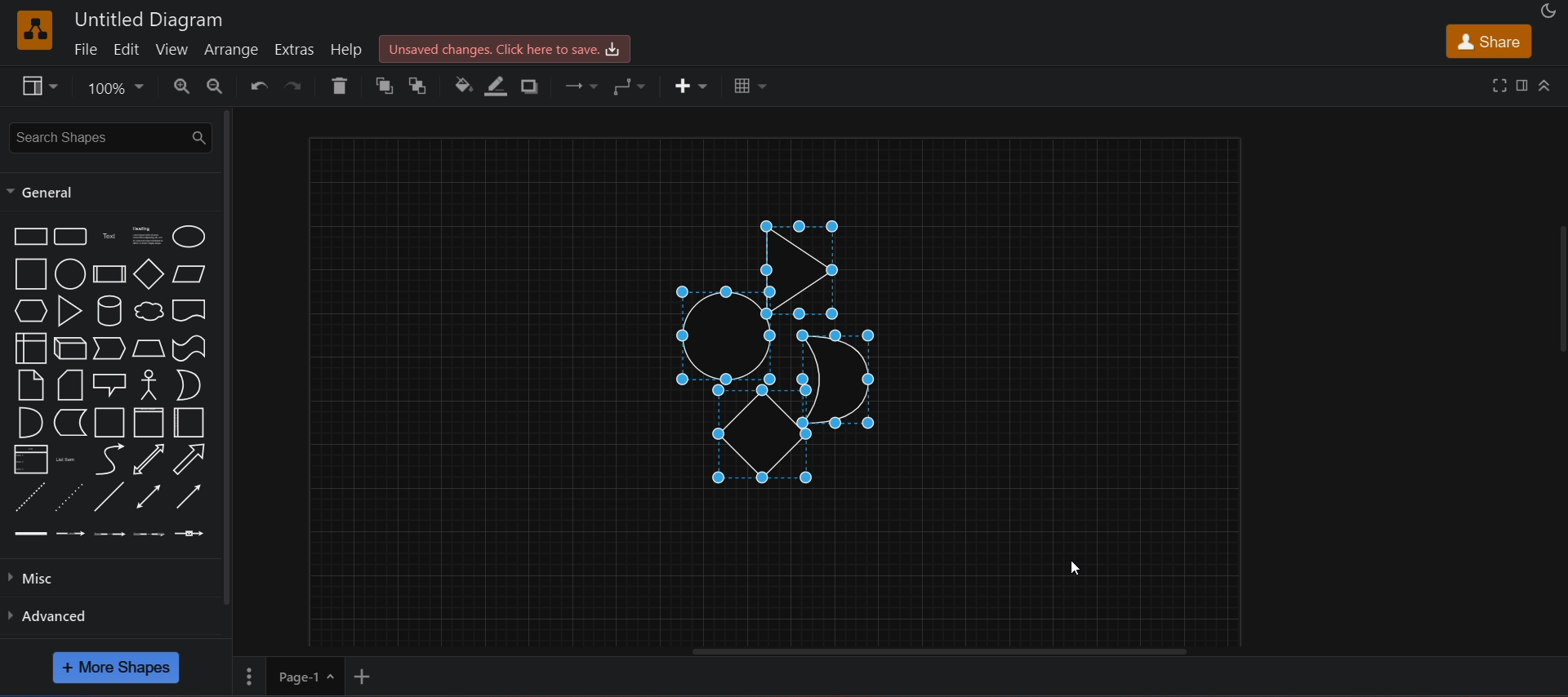  Describe the element at coordinates (35, 29) in the screenshot. I see `logo` at that location.